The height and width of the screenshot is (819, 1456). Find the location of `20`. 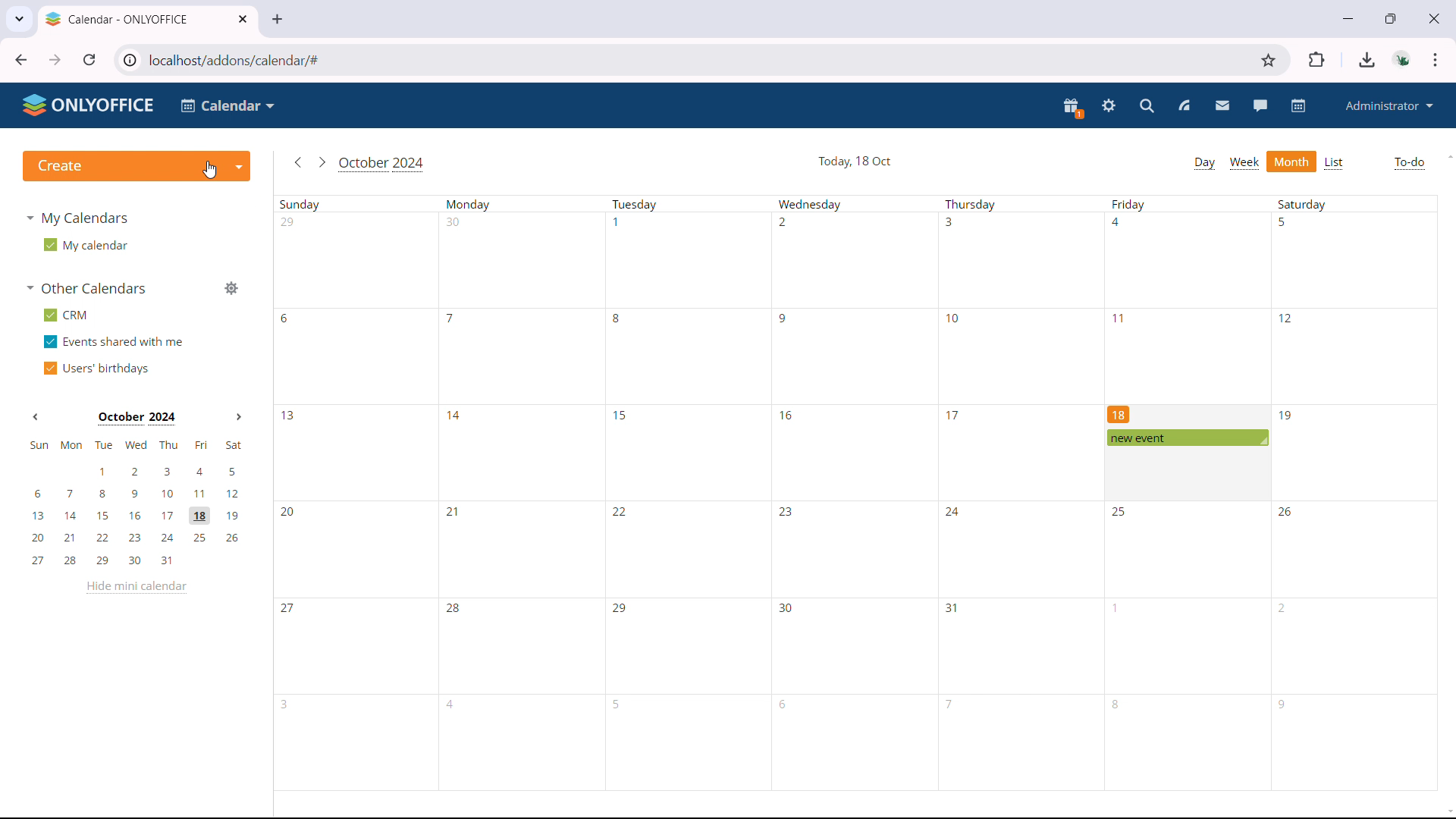

20 is located at coordinates (290, 513).